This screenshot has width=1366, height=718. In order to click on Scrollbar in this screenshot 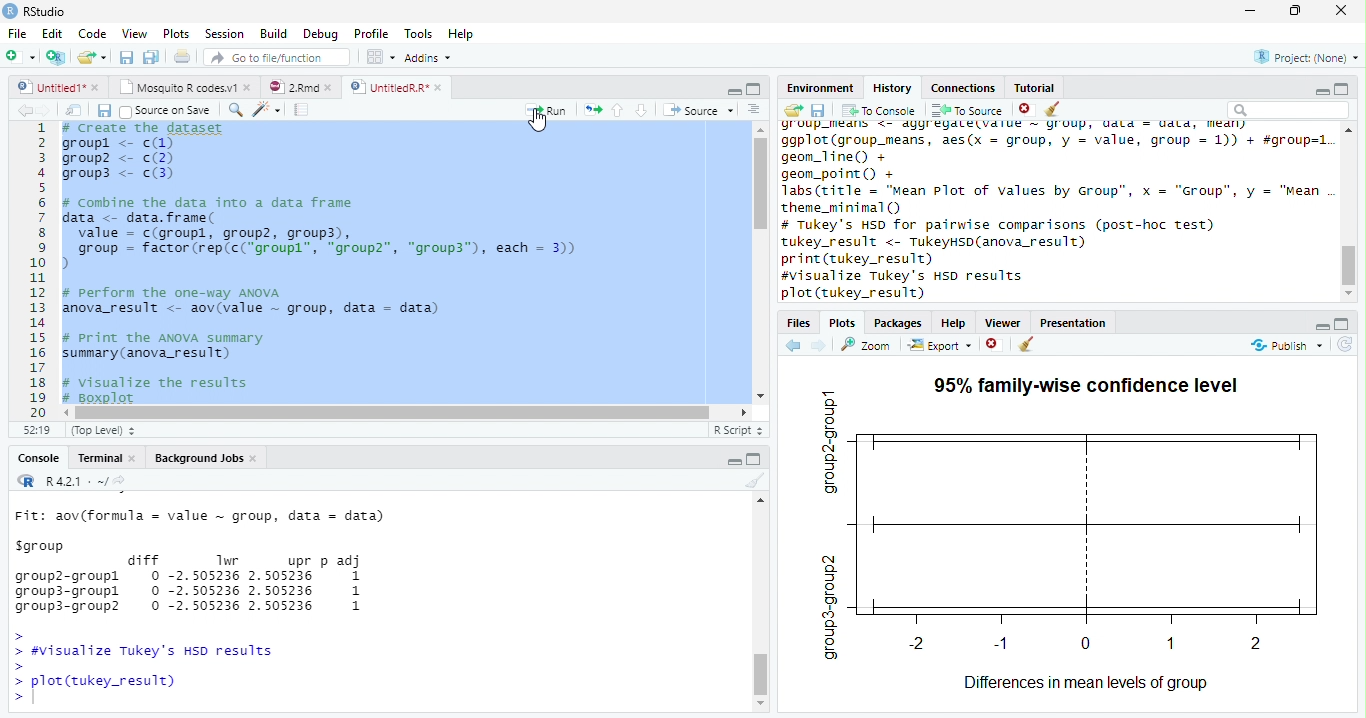, I will do `click(1351, 211)`.